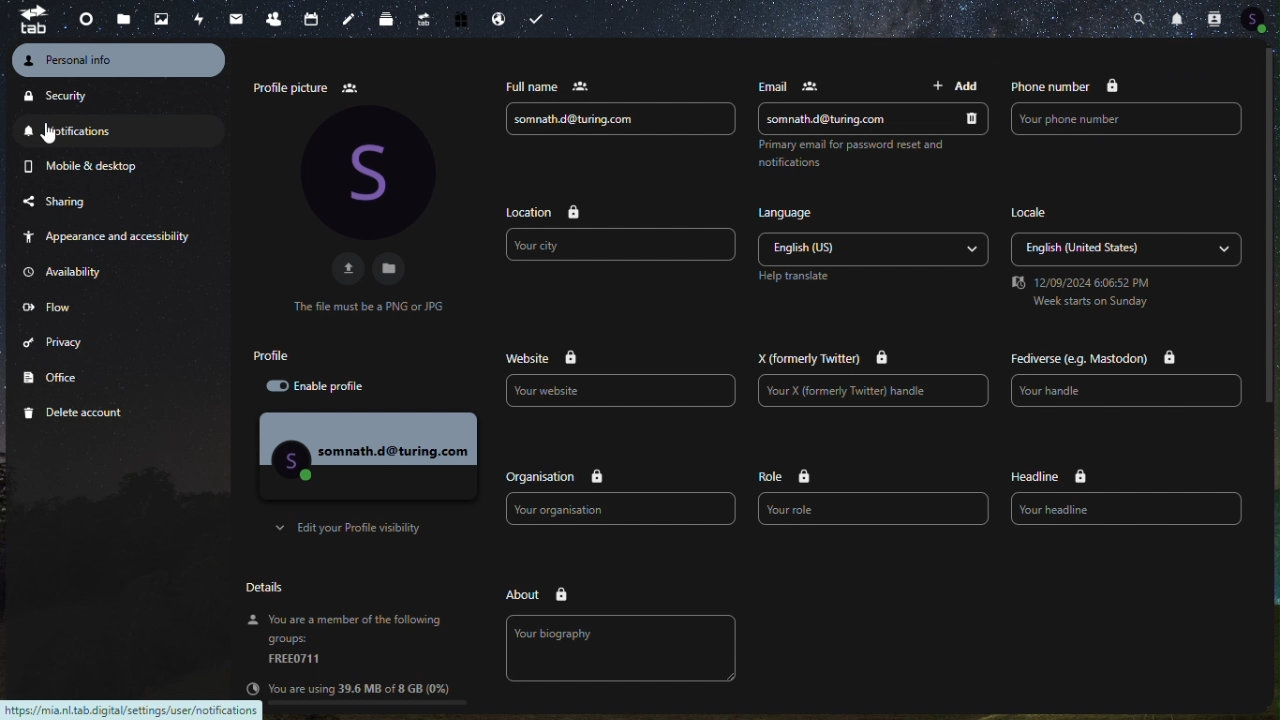 Image resolution: width=1280 pixels, height=720 pixels. I want to click on Your handle, so click(1131, 391).